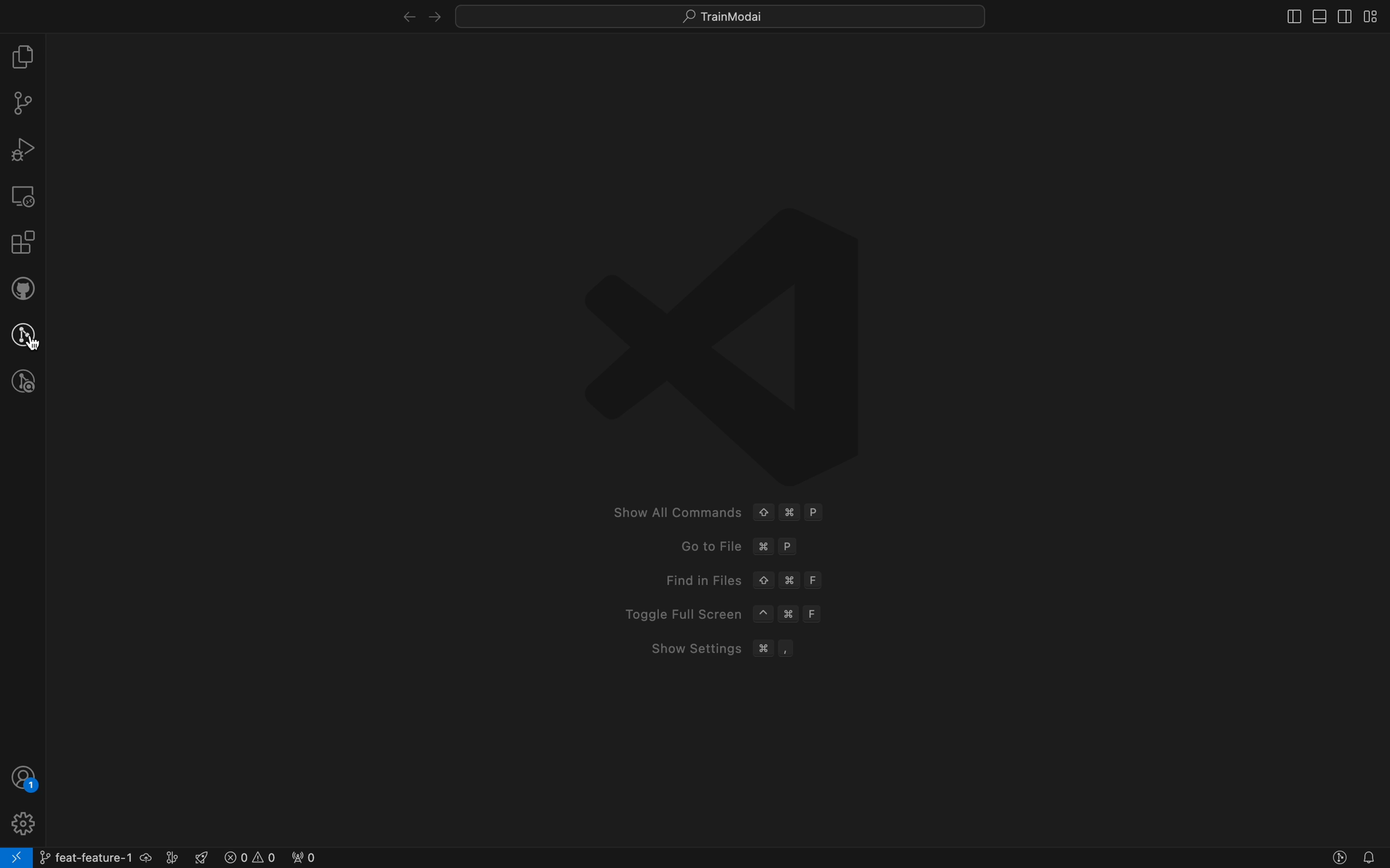  I want to click on gitlens inspect, so click(25, 382).